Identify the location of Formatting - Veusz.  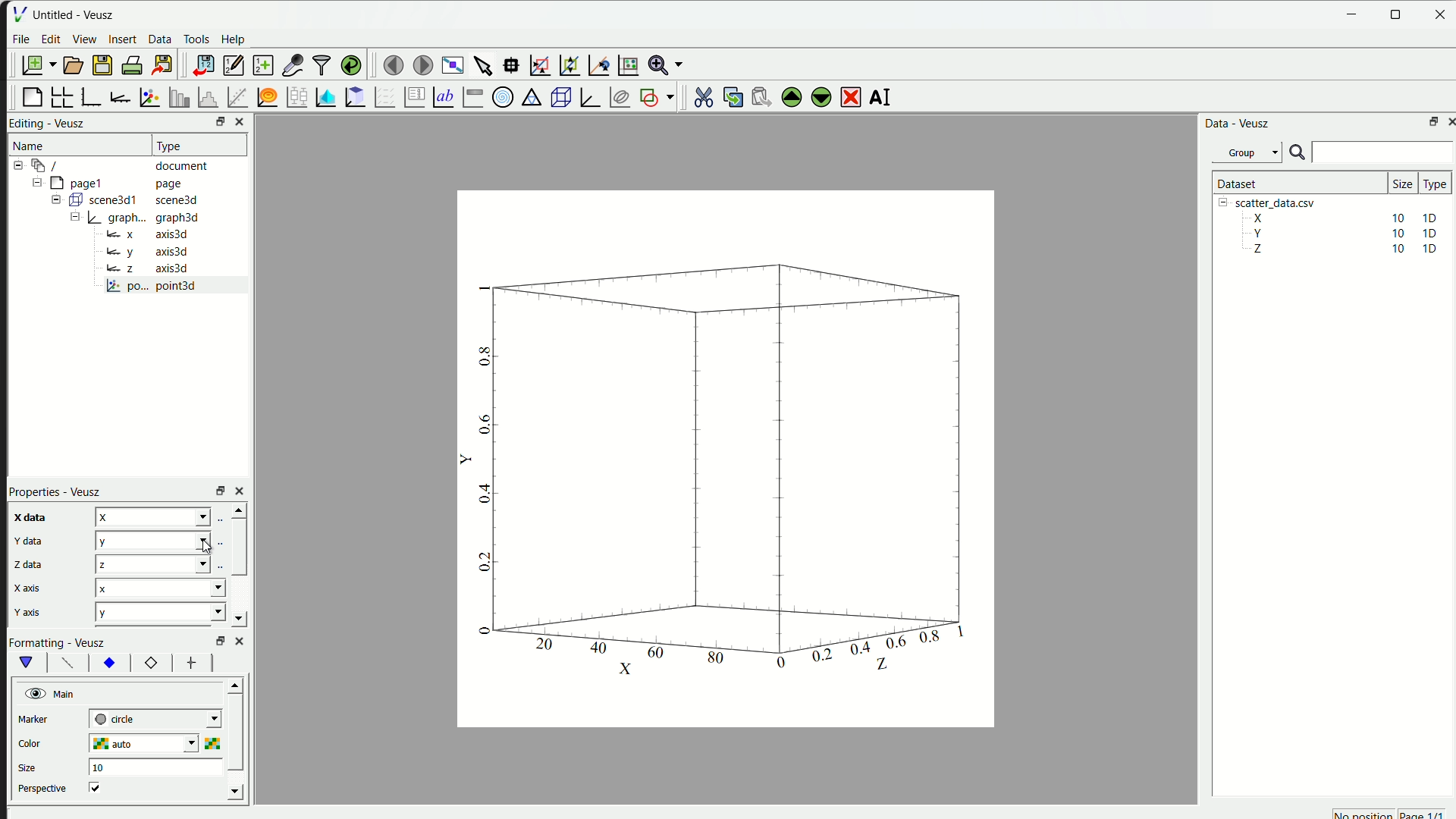
(64, 642).